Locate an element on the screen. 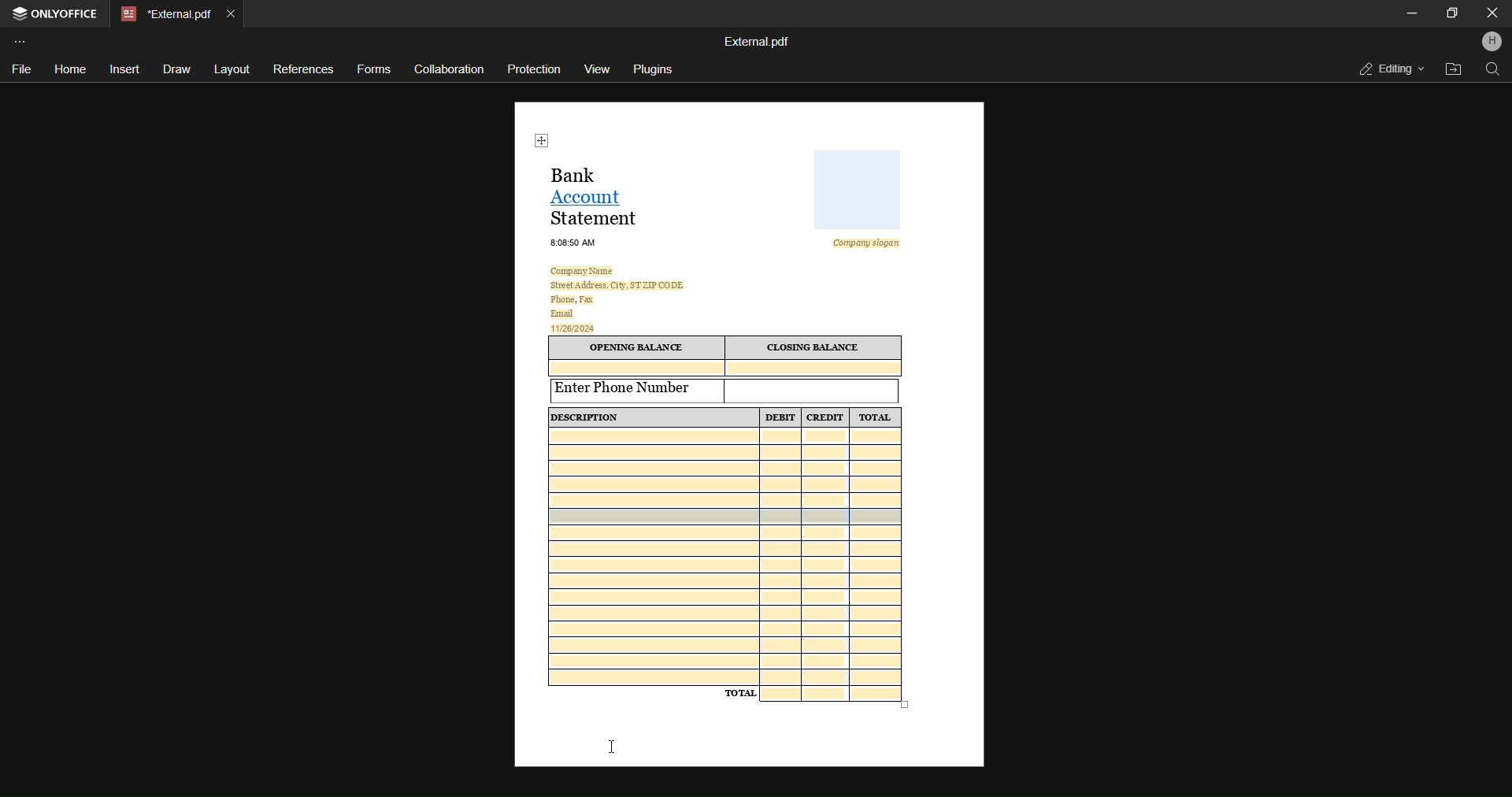  editing is located at coordinates (1388, 68).